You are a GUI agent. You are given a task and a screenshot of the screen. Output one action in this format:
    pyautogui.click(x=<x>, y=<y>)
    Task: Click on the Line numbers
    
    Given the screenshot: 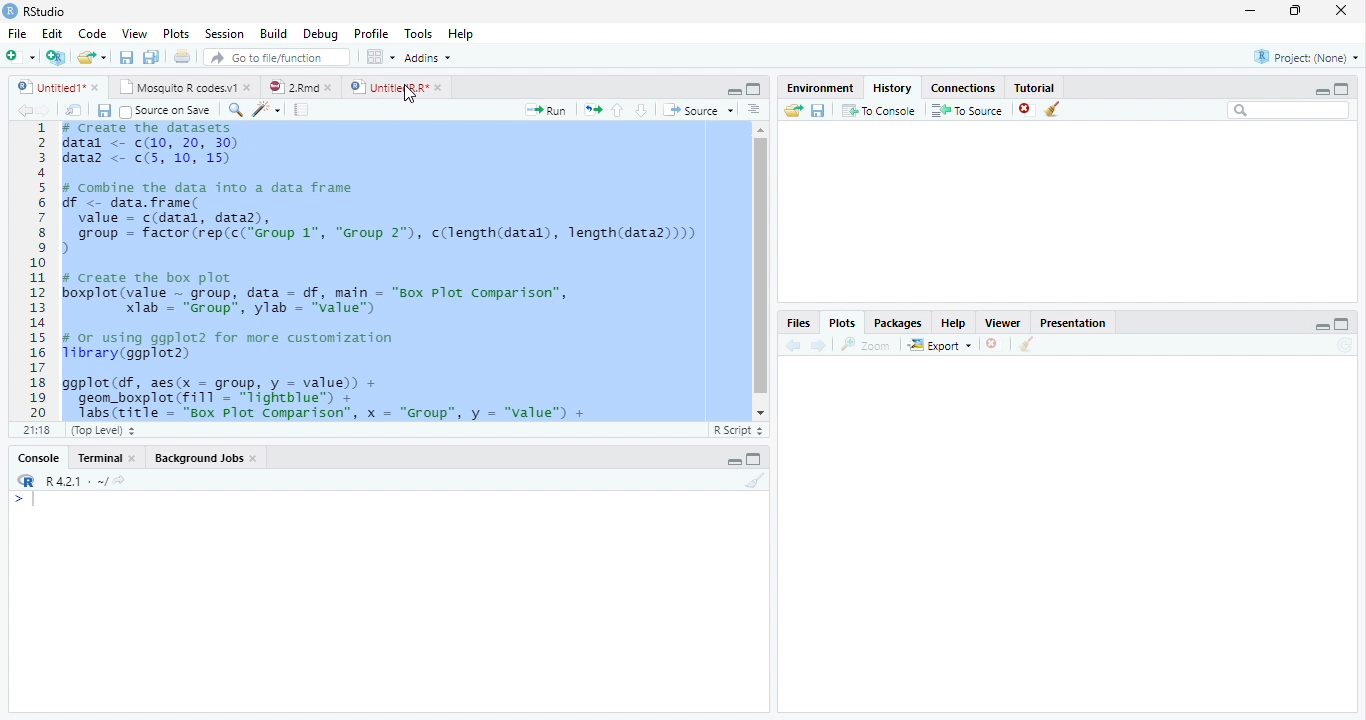 What is the action you would take?
    pyautogui.click(x=38, y=270)
    